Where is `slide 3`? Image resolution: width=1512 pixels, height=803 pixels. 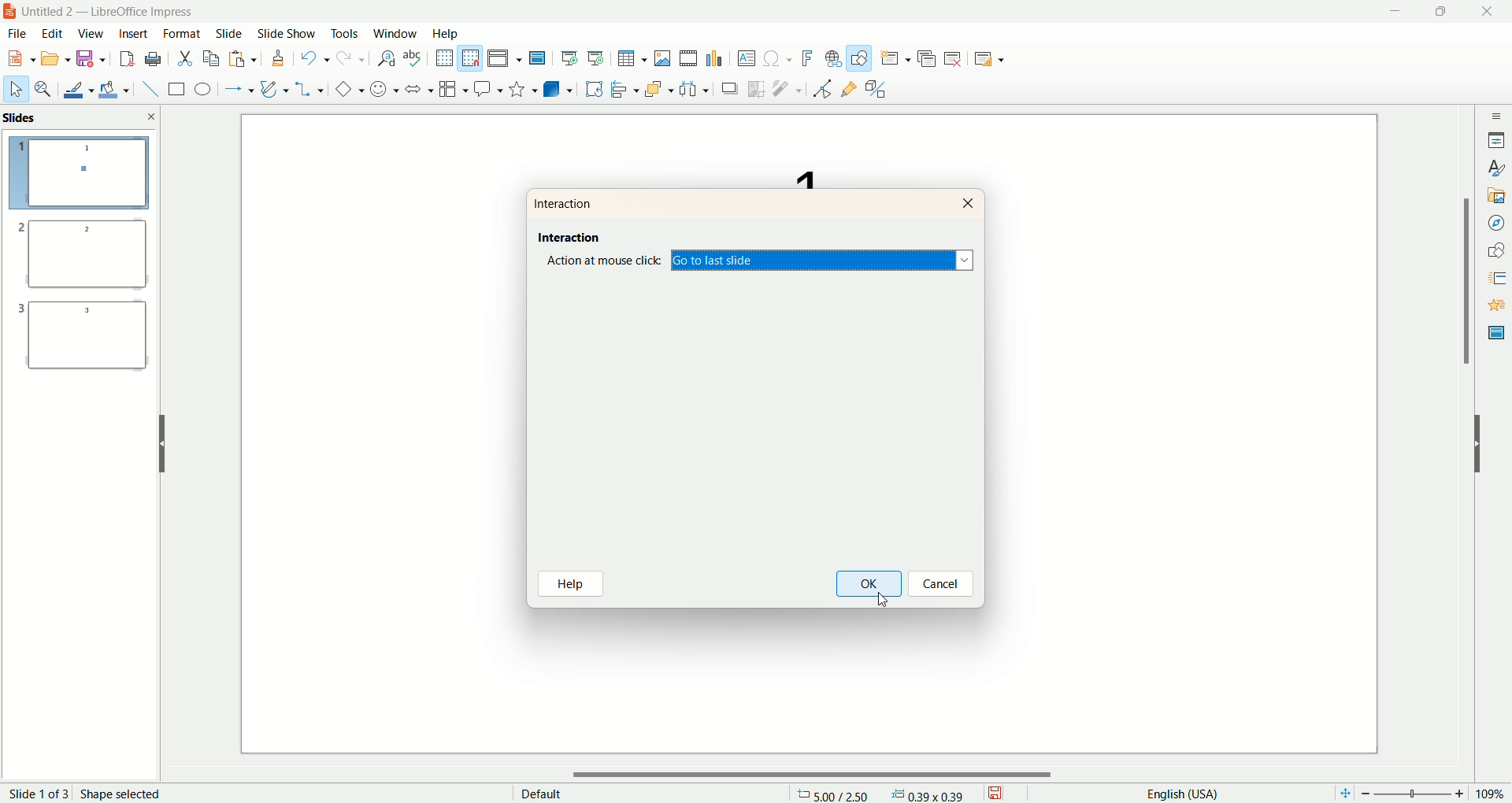
slide 3 is located at coordinates (83, 342).